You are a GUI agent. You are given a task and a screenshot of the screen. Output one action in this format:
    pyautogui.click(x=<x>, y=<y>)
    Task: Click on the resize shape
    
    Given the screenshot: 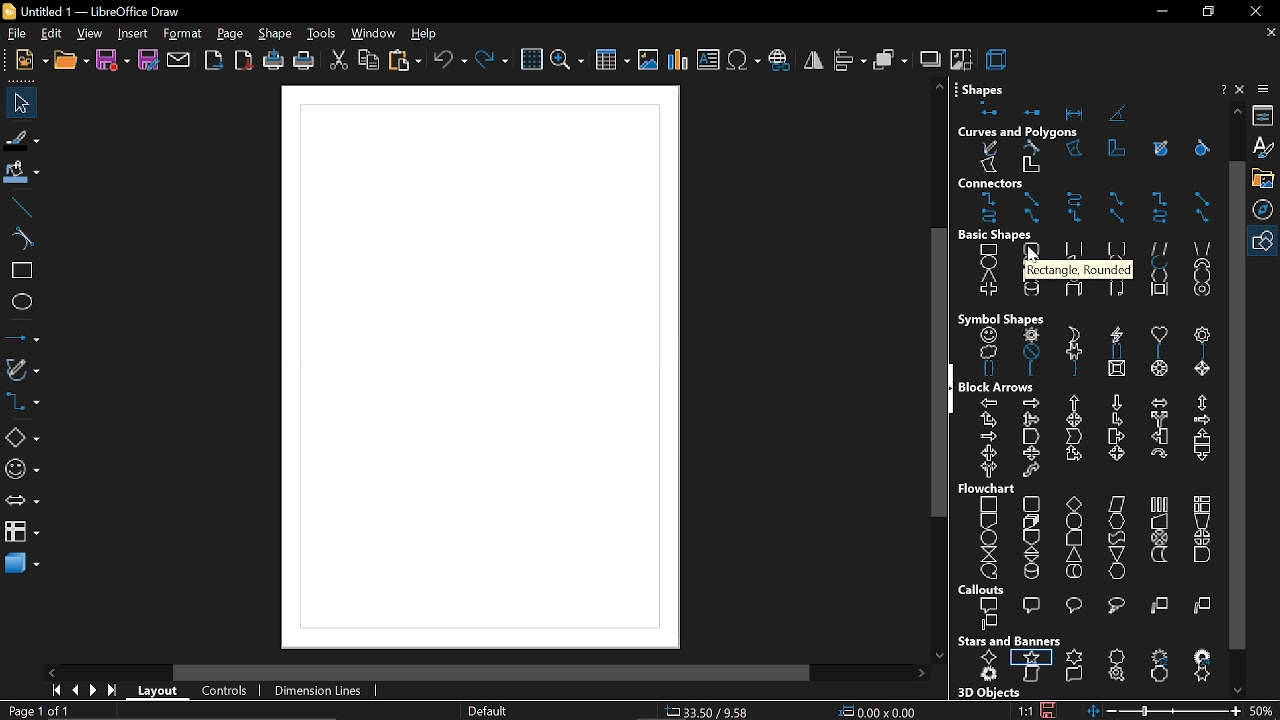 What is the action you would take?
    pyautogui.click(x=154, y=711)
    